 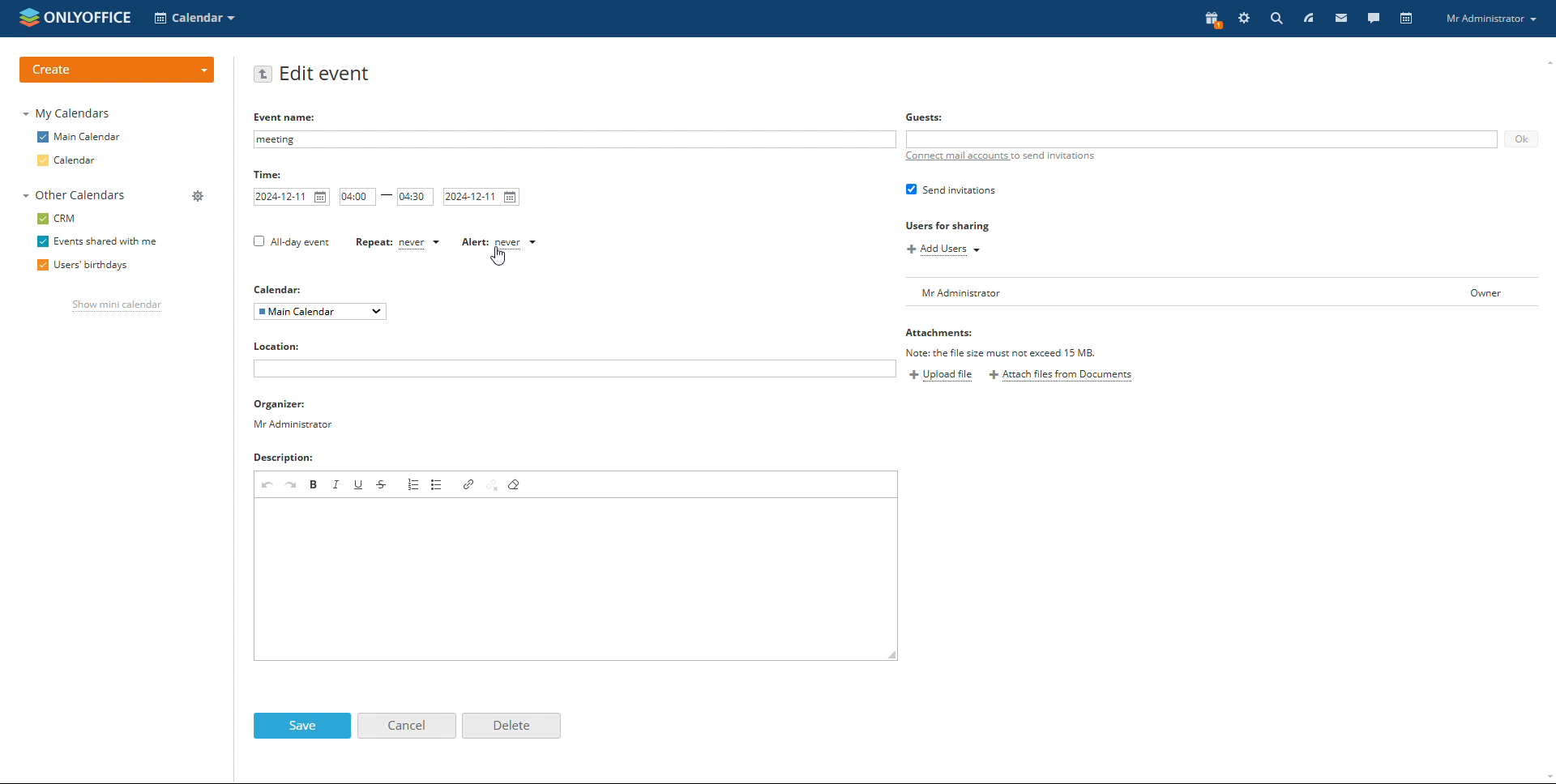 I want to click on attach files from documents, so click(x=1062, y=376).